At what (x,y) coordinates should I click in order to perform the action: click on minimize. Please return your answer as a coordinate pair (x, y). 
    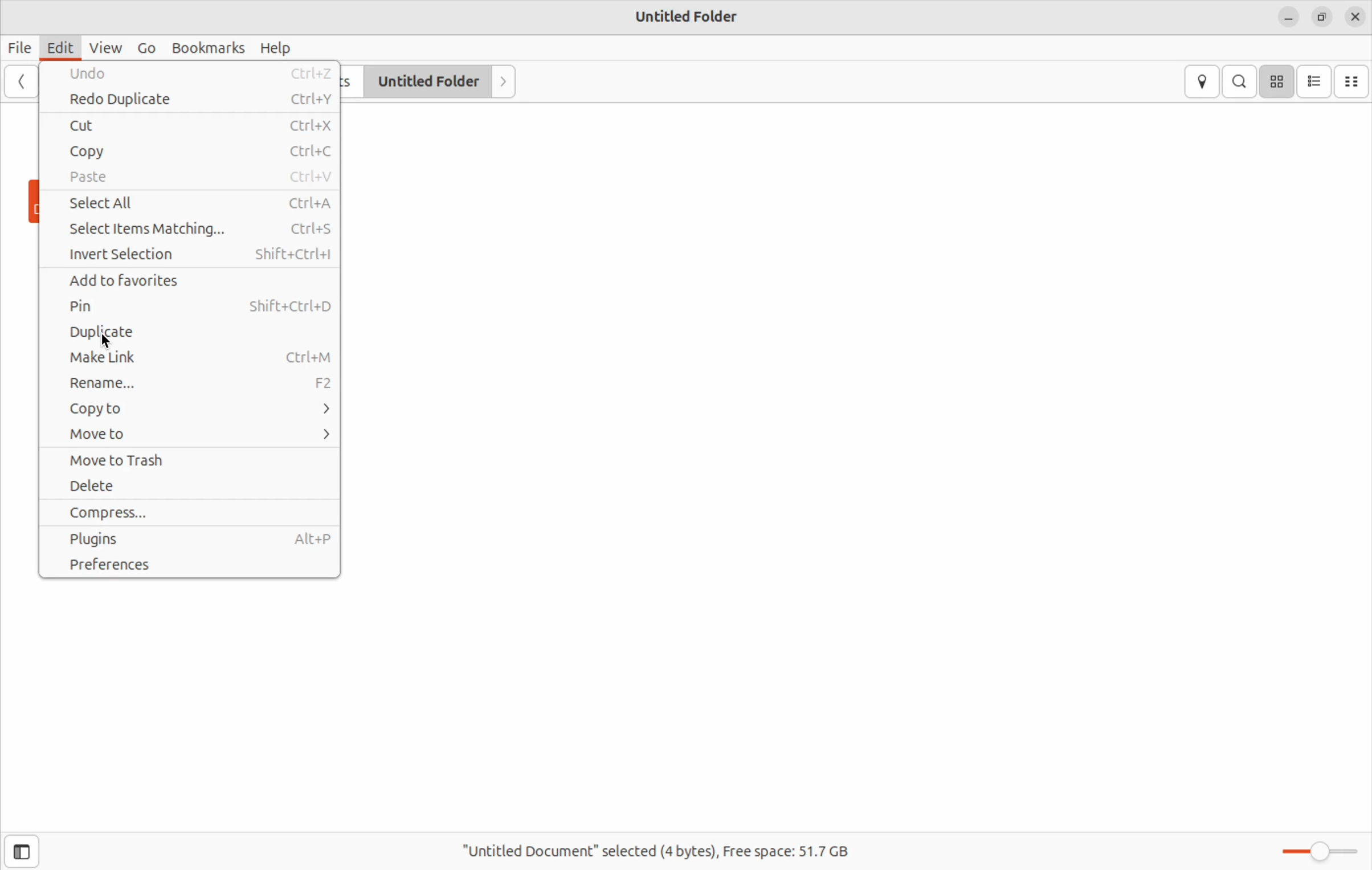
    Looking at the image, I should click on (1289, 21).